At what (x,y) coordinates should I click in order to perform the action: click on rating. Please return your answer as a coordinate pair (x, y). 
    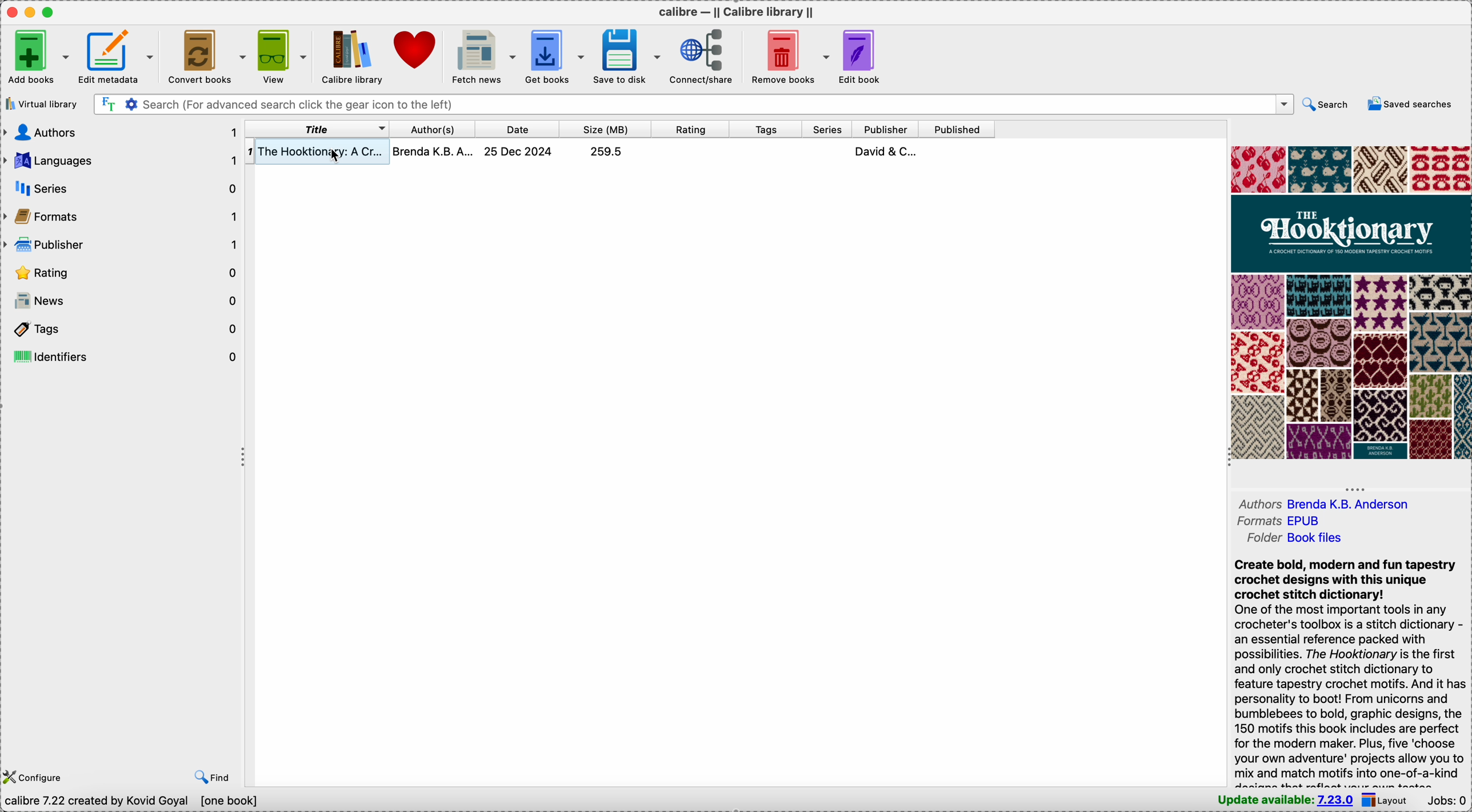
    Looking at the image, I should click on (123, 272).